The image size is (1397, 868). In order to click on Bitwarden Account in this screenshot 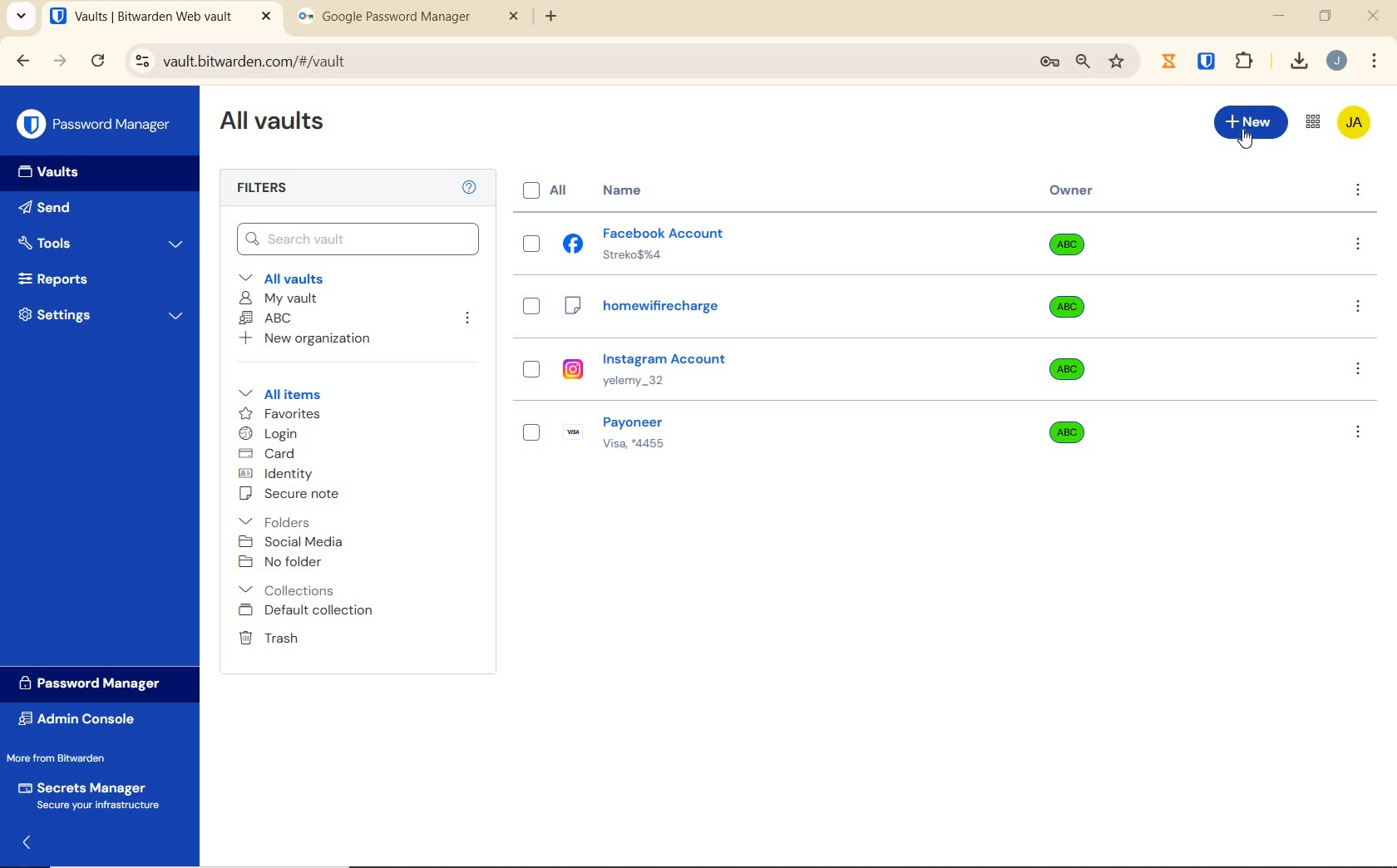, I will do `click(1354, 124)`.